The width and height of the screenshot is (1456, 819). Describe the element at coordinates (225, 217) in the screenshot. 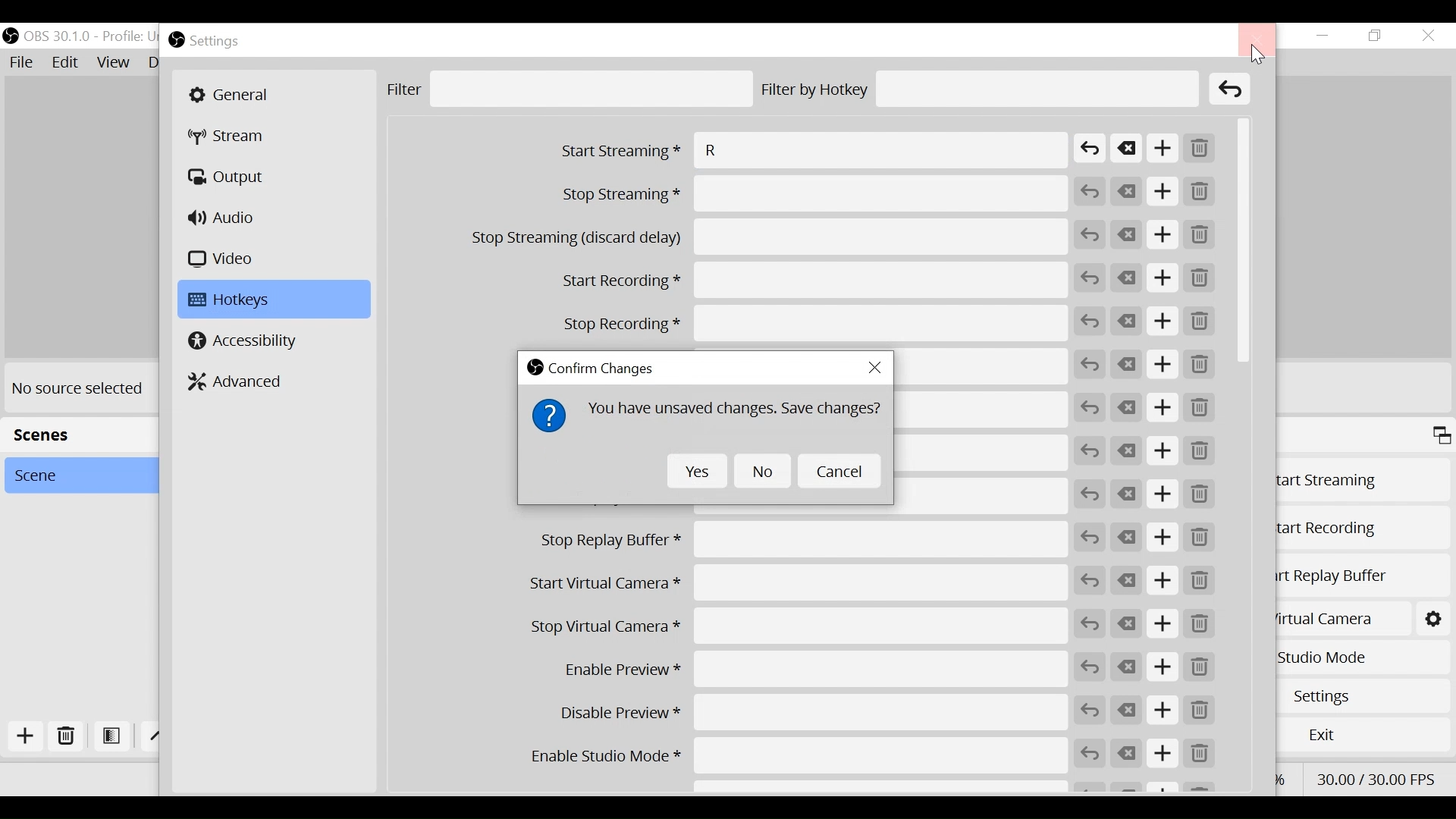

I see `Audio` at that location.